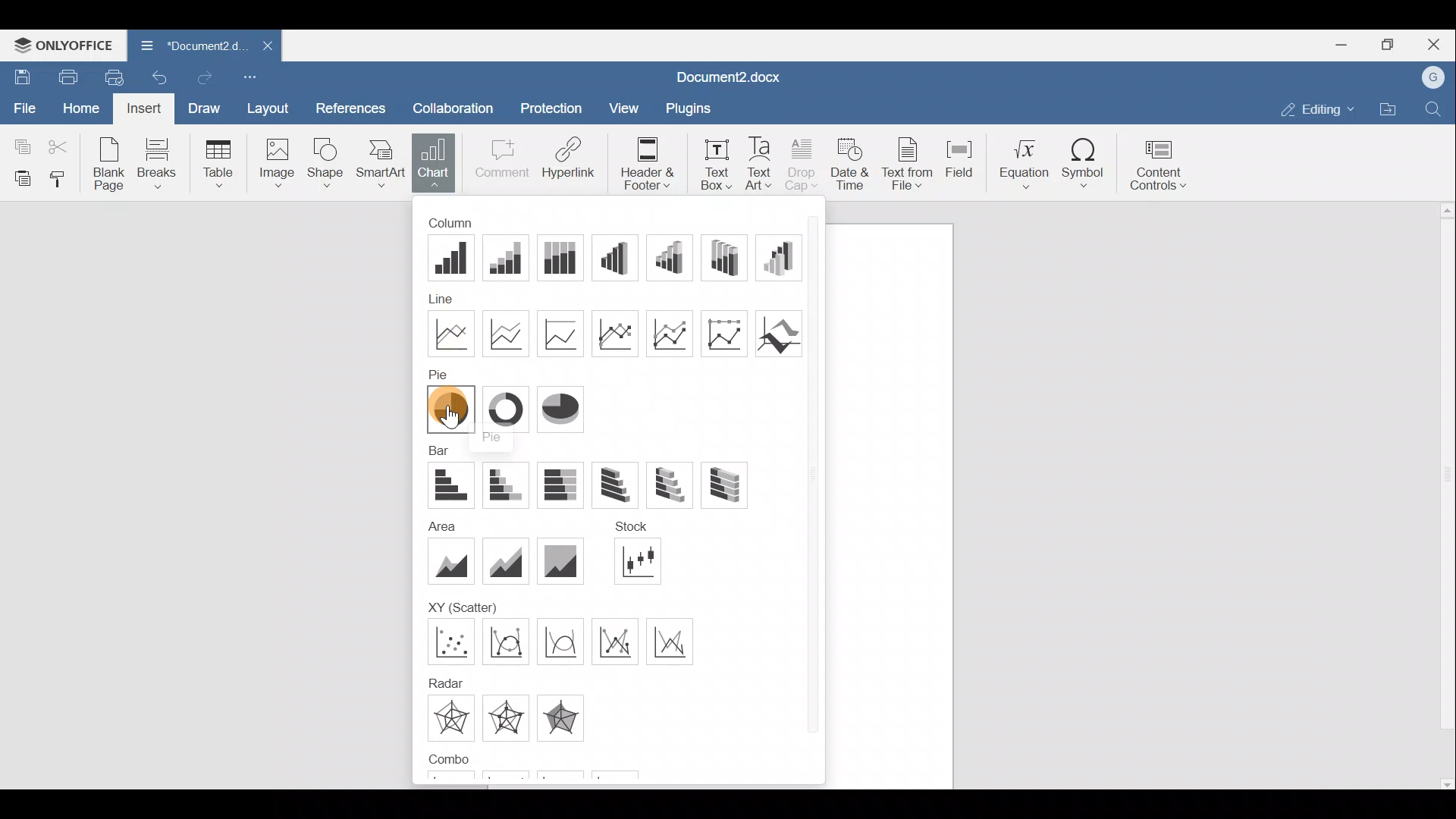 The image size is (1456, 819). What do you see at coordinates (815, 493) in the screenshot?
I see `Scroll bar` at bounding box center [815, 493].